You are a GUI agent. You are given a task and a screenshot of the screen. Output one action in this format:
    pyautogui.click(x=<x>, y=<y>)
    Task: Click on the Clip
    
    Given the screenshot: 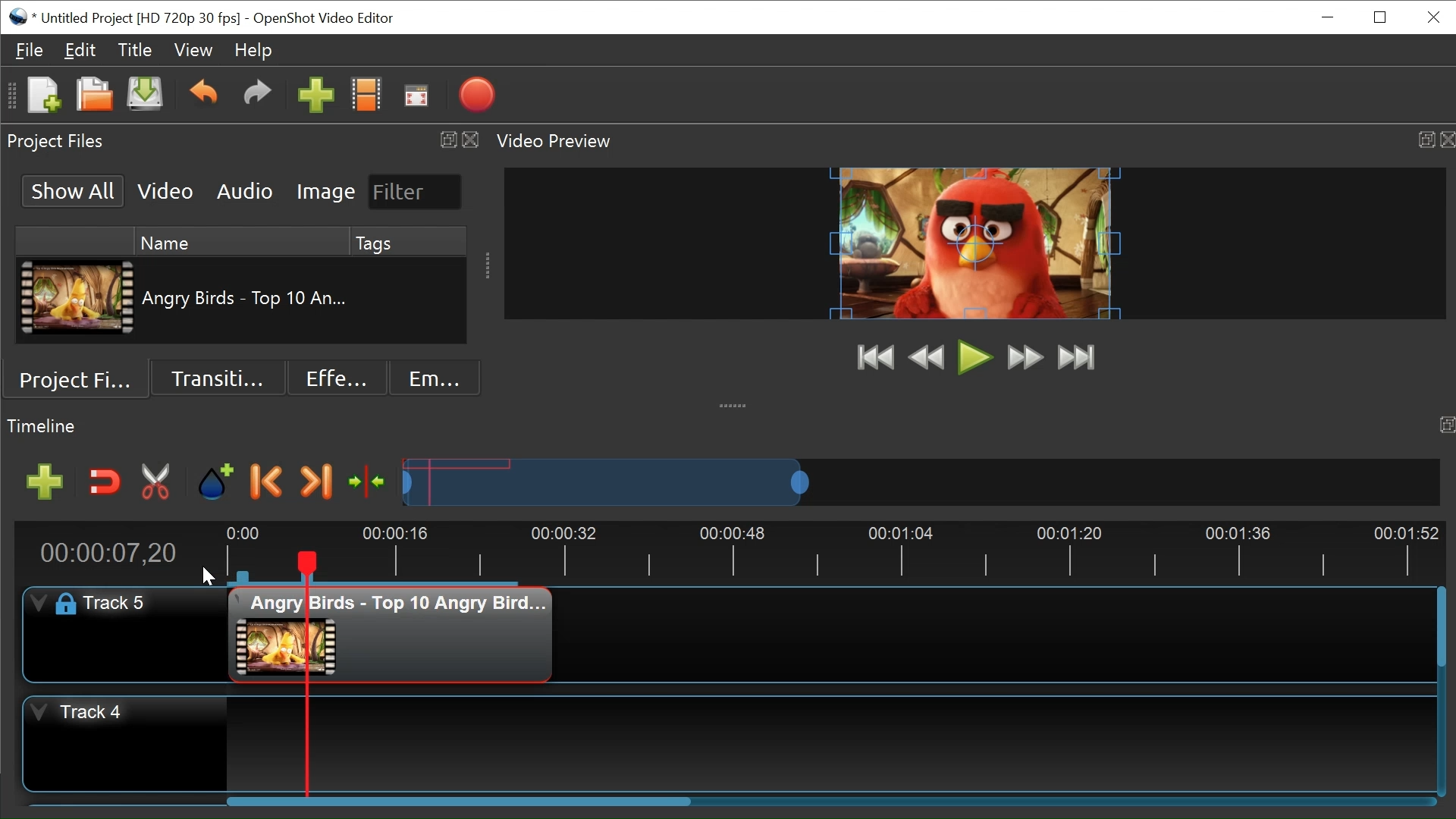 What is the action you would take?
    pyautogui.click(x=78, y=299)
    